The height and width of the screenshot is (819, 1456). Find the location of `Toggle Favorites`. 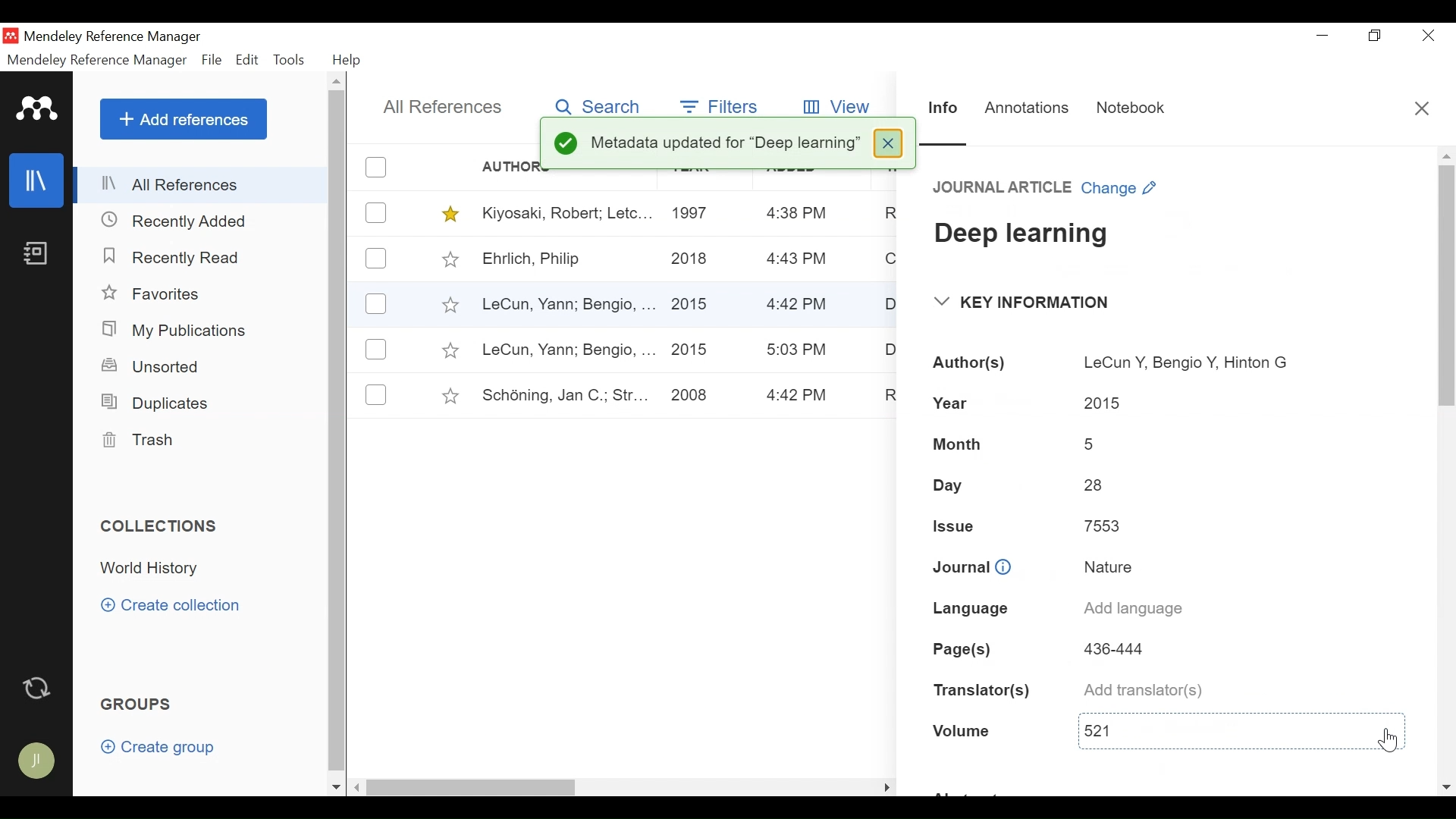

Toggle Favorites is located at coordinates (450, 396).